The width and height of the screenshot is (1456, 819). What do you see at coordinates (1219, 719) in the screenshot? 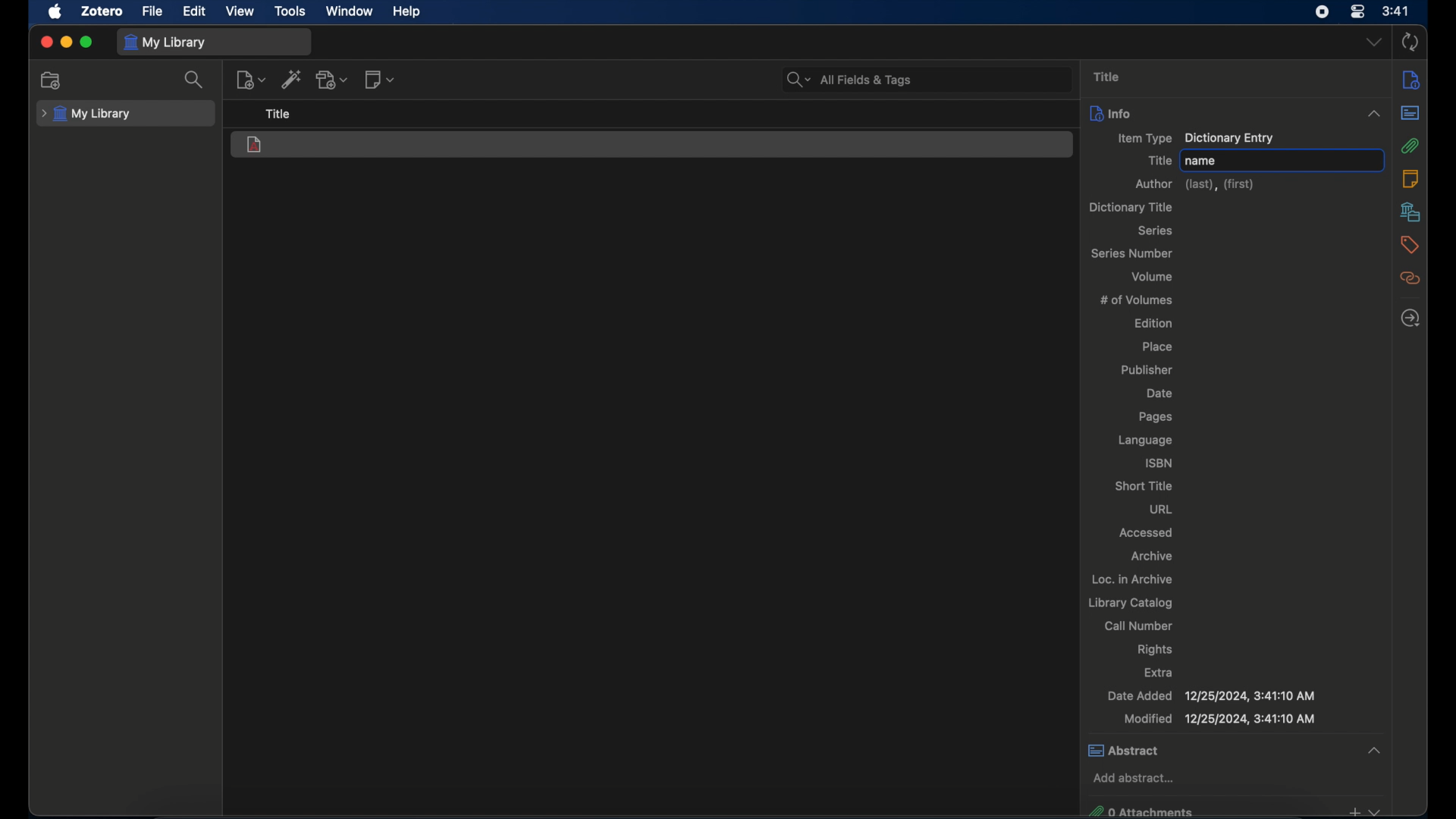
I see `modified` at bounding box center [1219, 719].